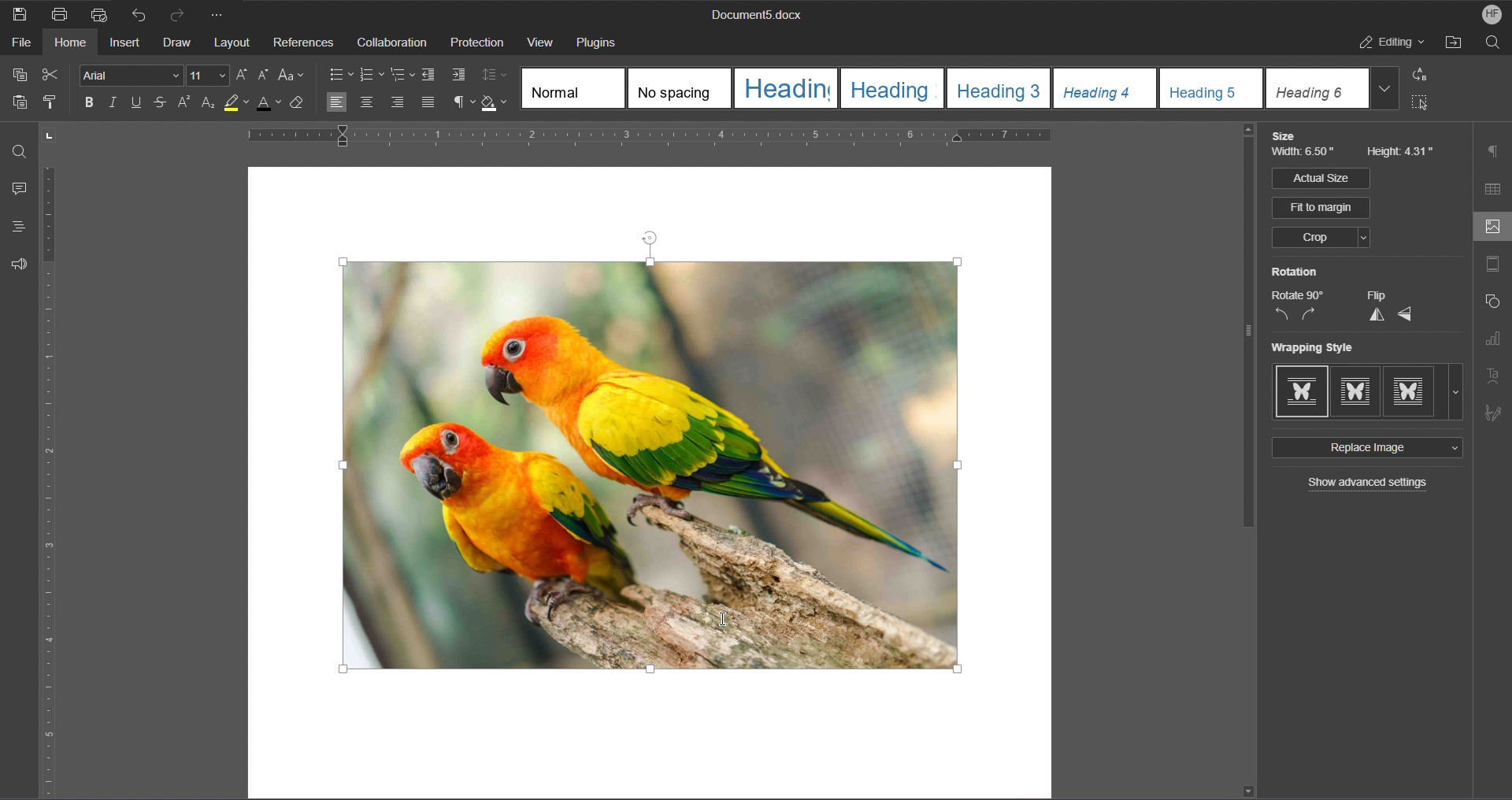 This screenshot has height=800, width=1512. What do you see at coordinates (221, 13) in the screenshot?
I see `More` at bounding box center [221, 13].